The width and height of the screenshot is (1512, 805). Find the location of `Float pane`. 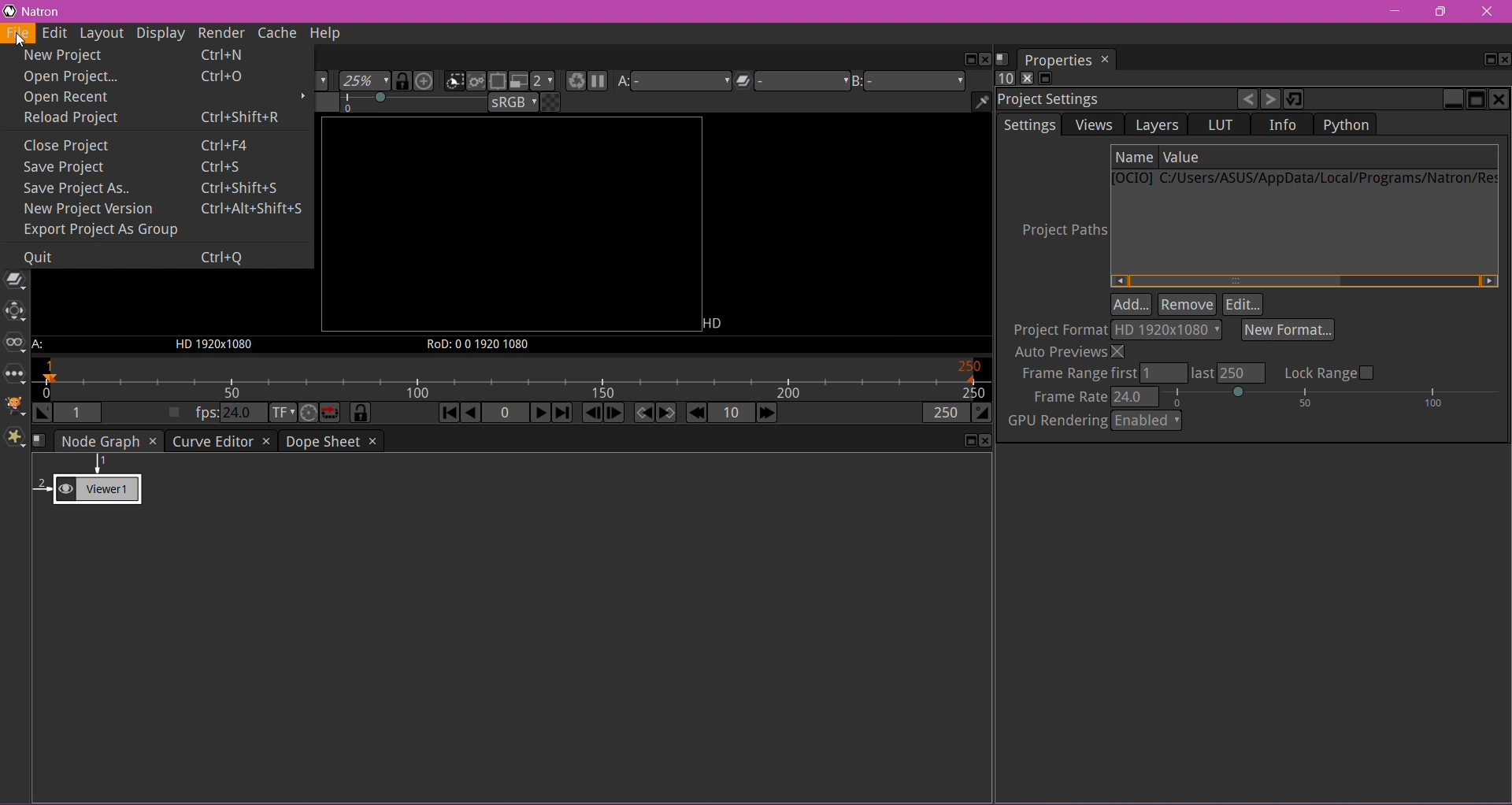

Float pane is located at coordinates (968, 442).